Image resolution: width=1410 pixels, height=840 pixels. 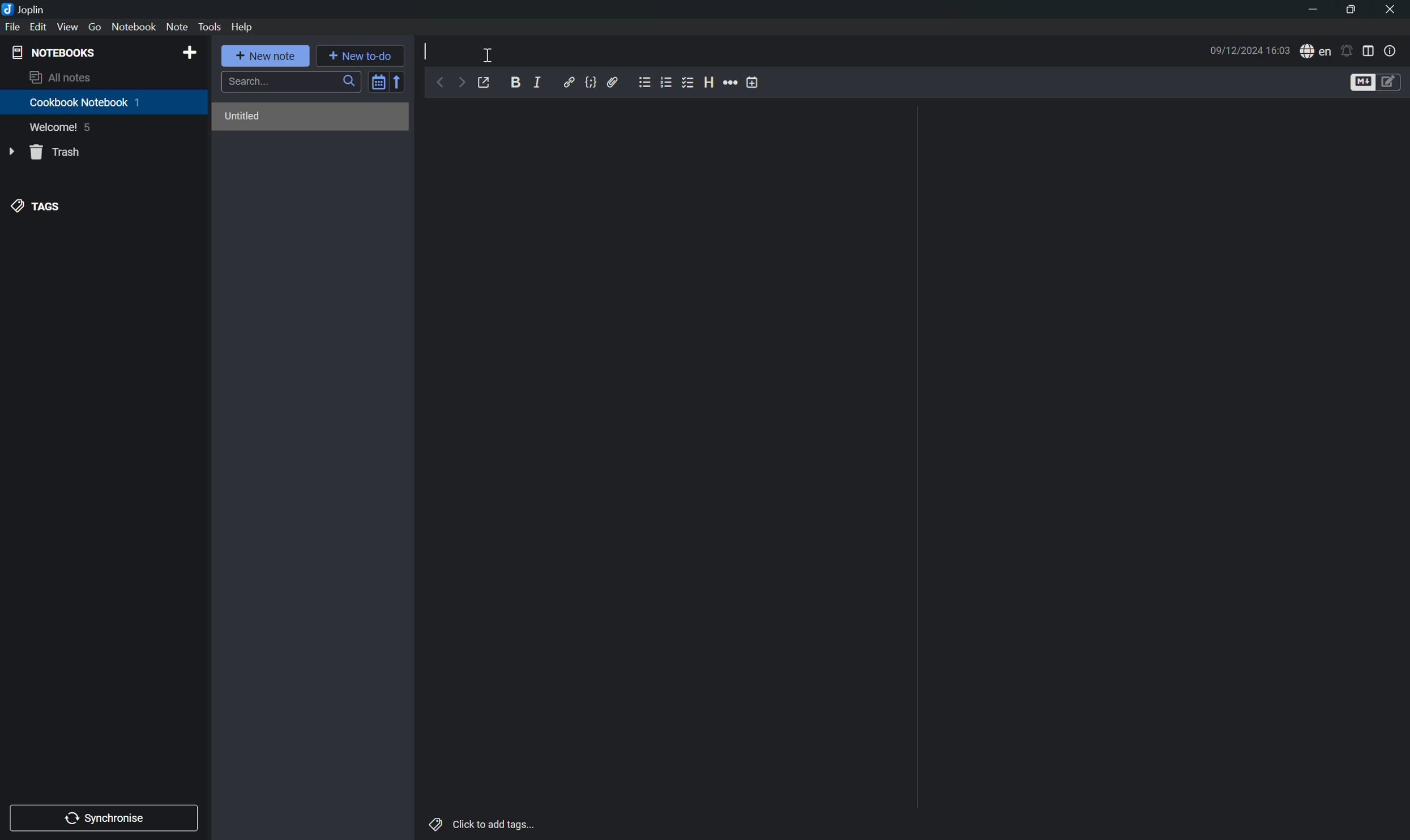 What do you see at coordinates (486, 82) in the screenshot?
I see `Toggle external editing` at bounding box center [486, 82].